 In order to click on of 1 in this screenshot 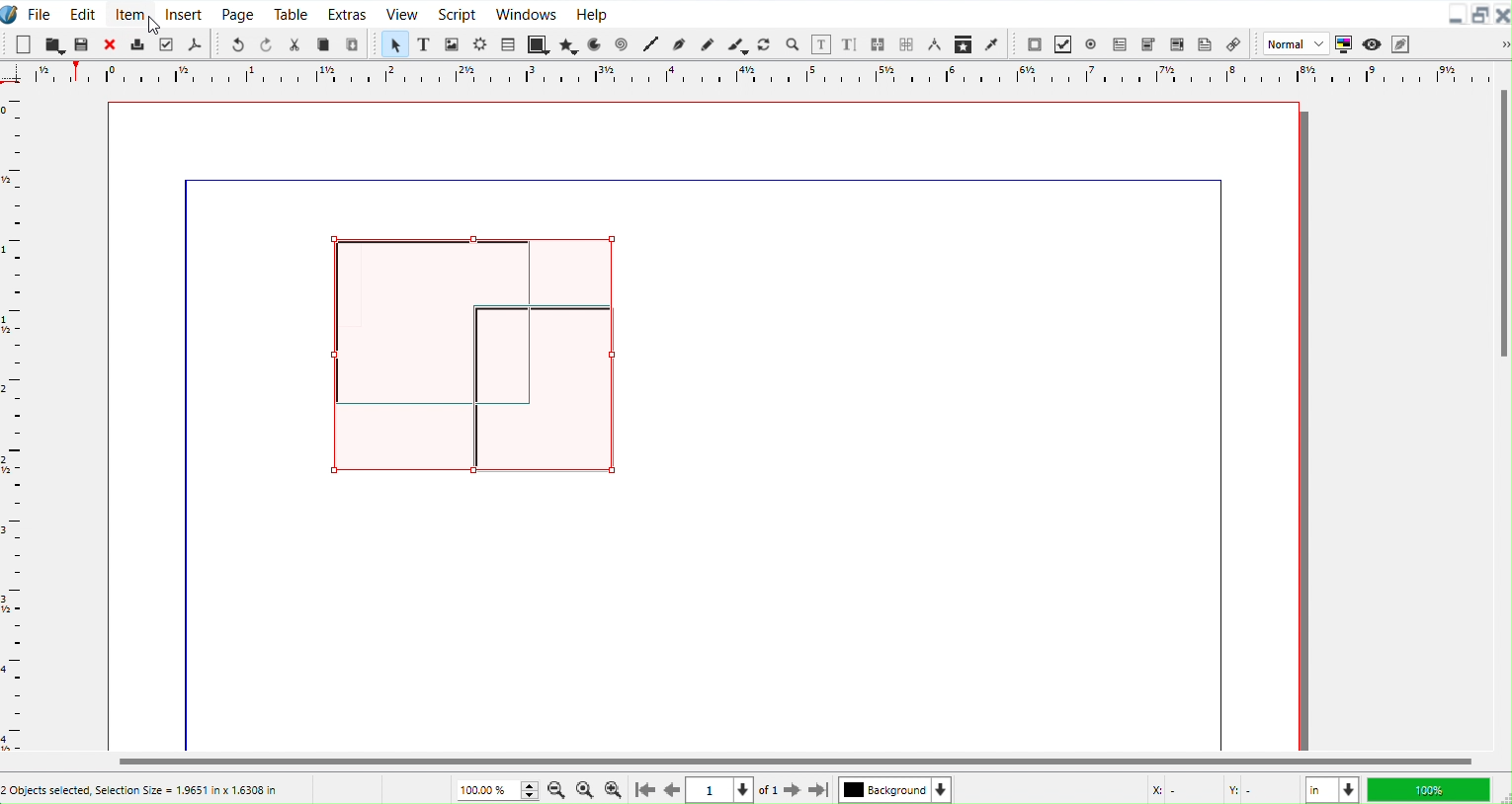, I will do `click(768, 791)`.